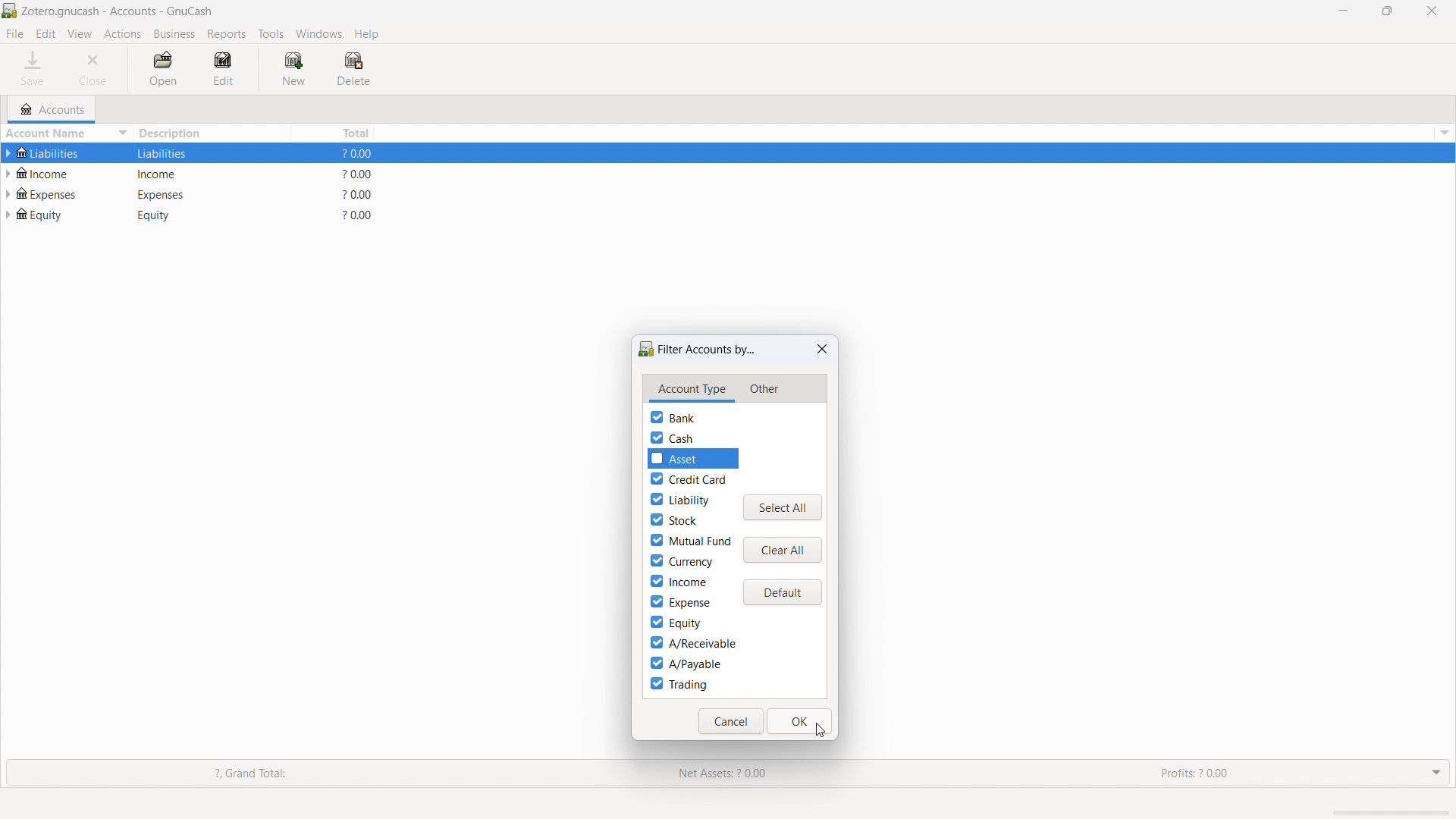 The height and width of the screenshot is (819, 1456). What do you see at coordinates (782, 593) in the screenshot?
I see `default` at bounding box center [782, 593].